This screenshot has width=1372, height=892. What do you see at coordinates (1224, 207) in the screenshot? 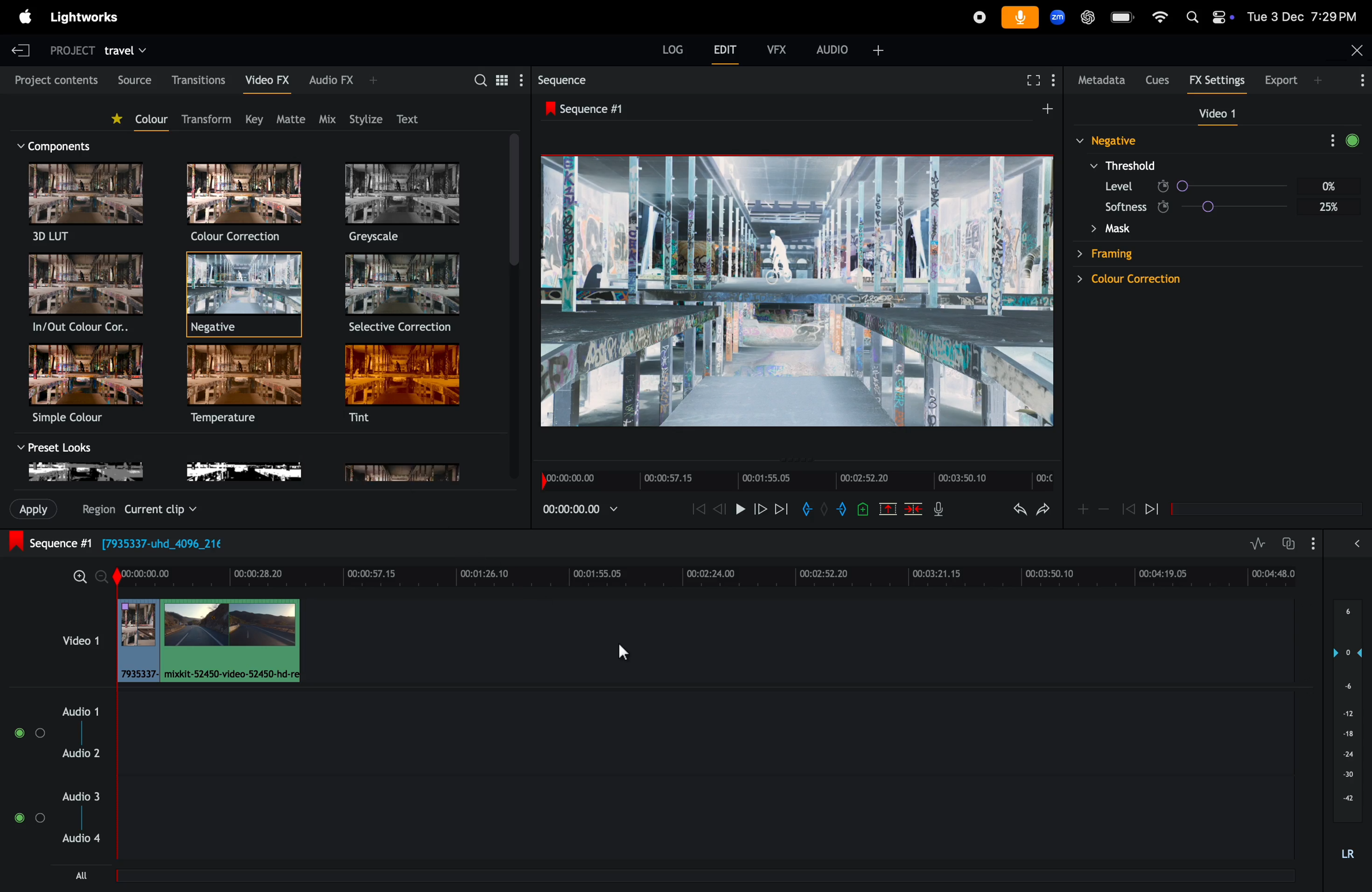
I see `` at bounding box center [1224, 207].